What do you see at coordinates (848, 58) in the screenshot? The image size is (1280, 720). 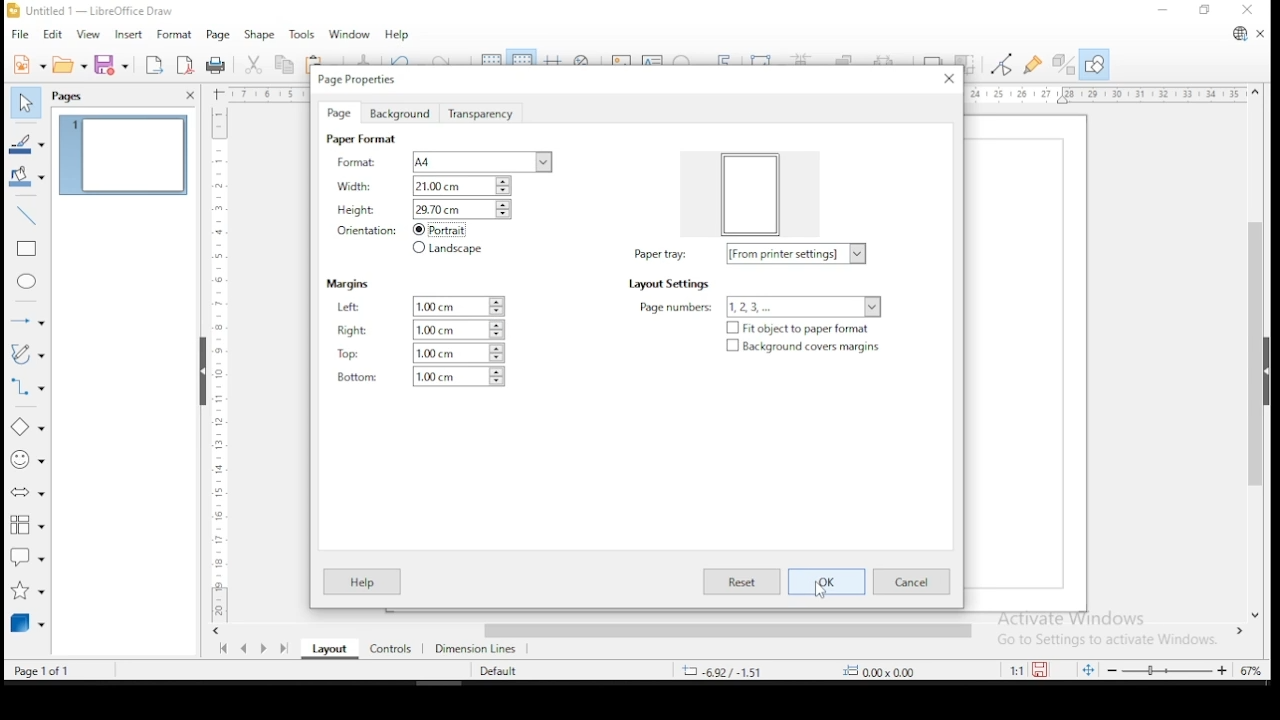 I see `arrange` at bounding box center [848, 58].